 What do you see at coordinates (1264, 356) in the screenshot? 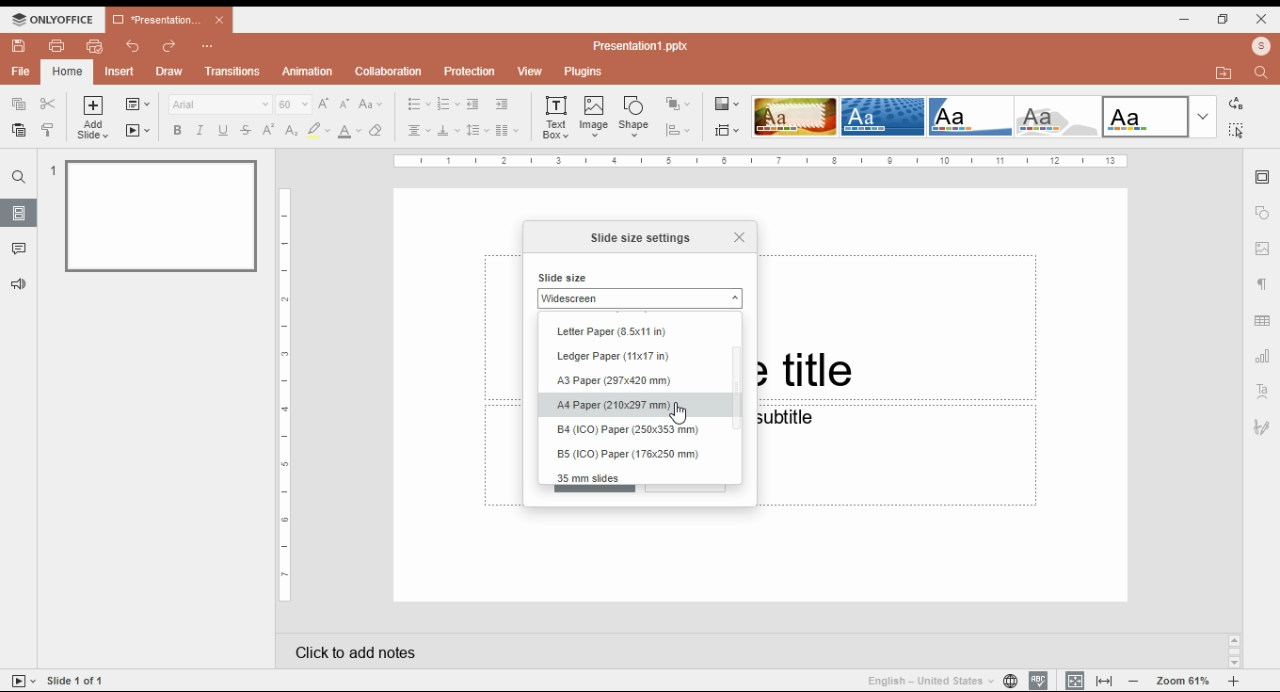
I see `chart settings` at bounding box center [1264, 356].